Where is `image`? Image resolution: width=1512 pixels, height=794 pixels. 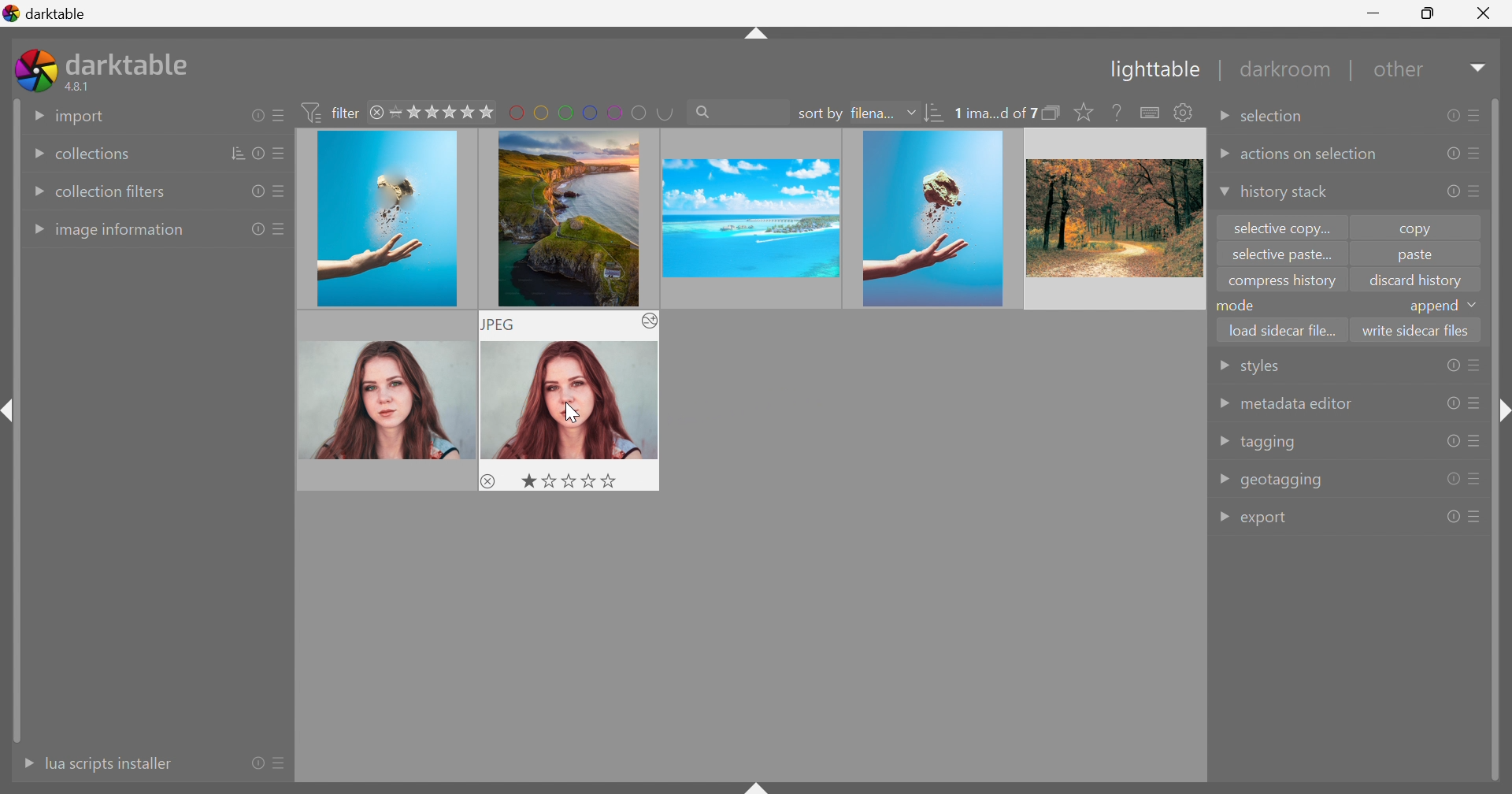
image is located at coordinates (933, 219).